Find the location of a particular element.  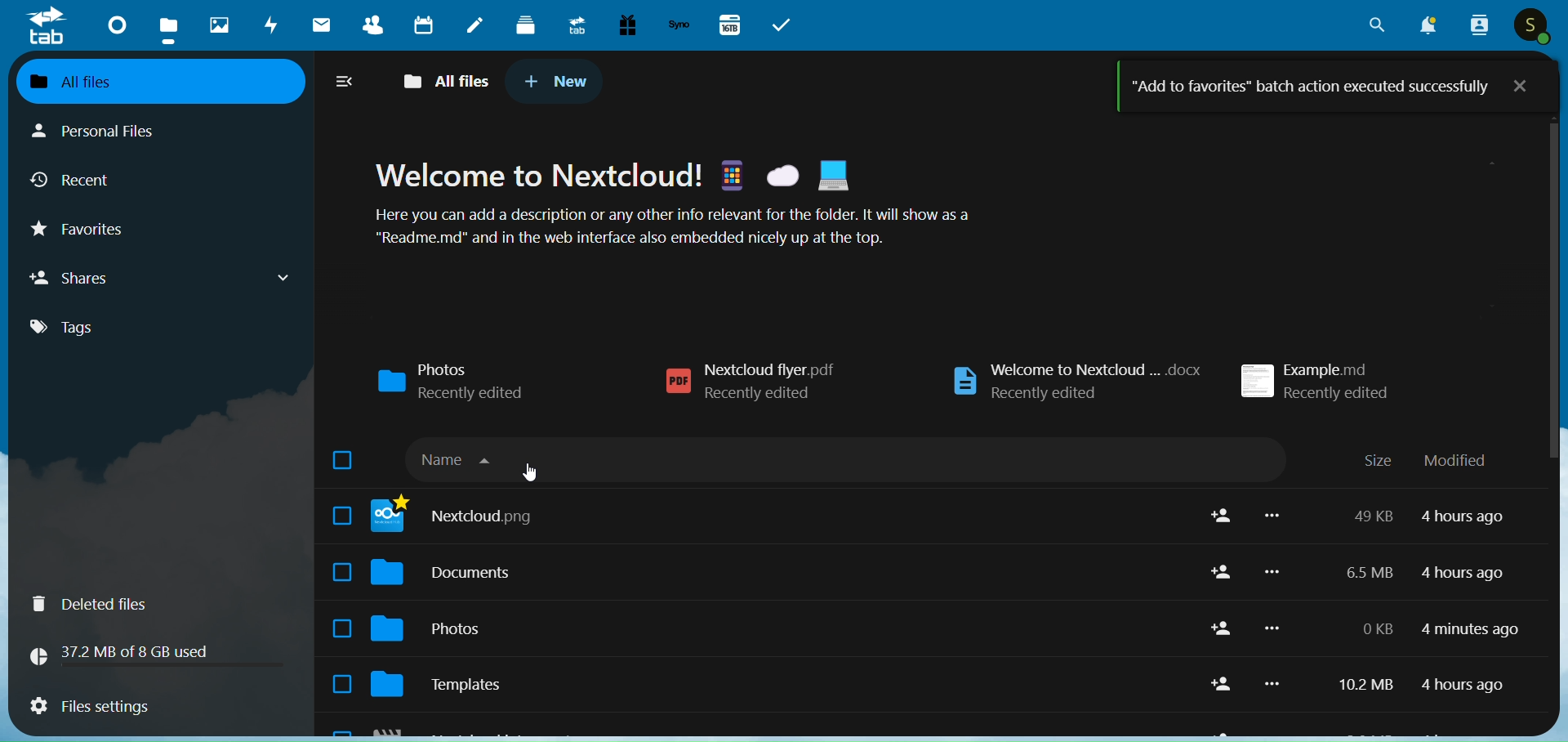

Example.md Recently edited is located at coordinates (1316, 381).